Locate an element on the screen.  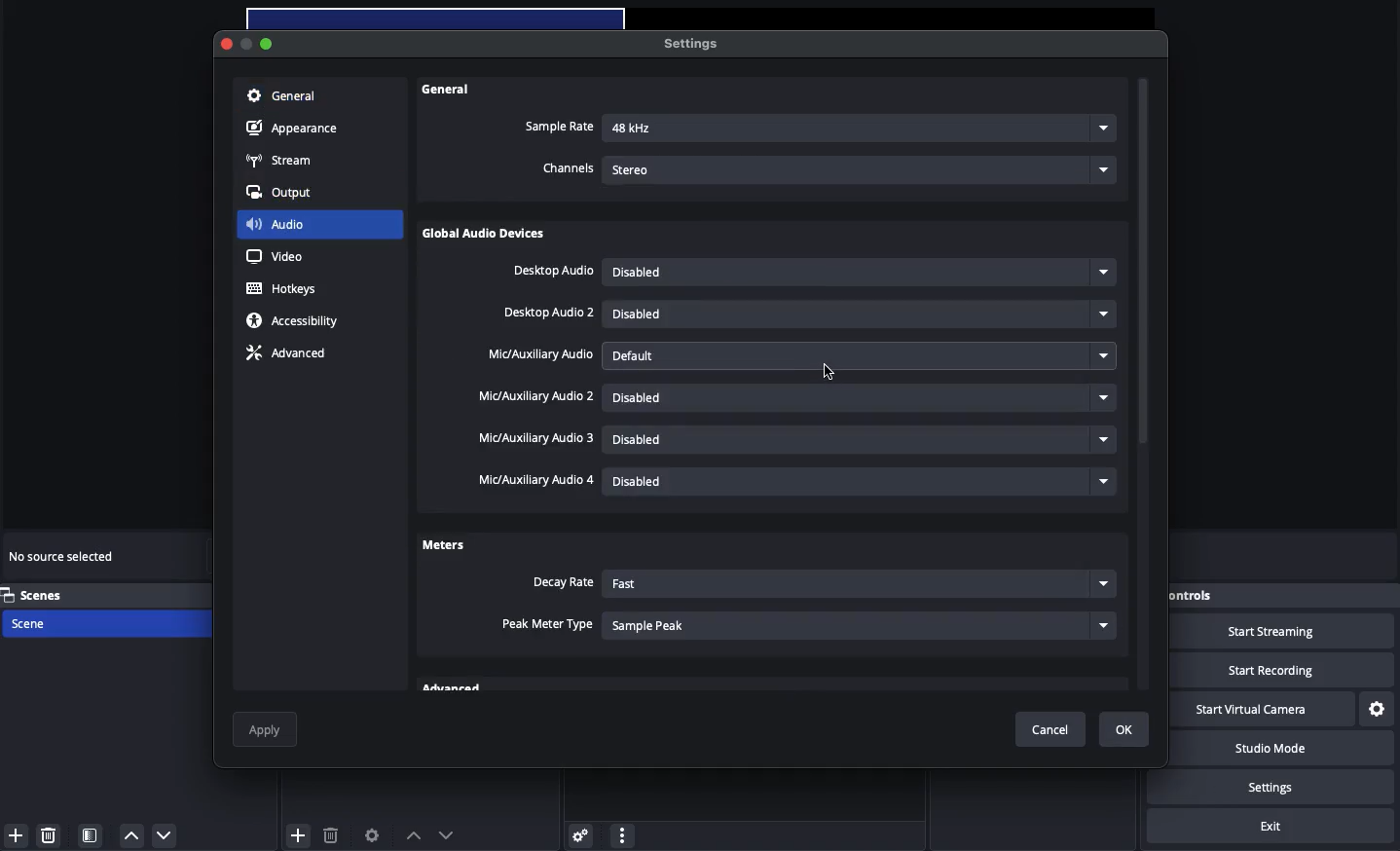
Start streaming is located at coordinates (1287, 632).